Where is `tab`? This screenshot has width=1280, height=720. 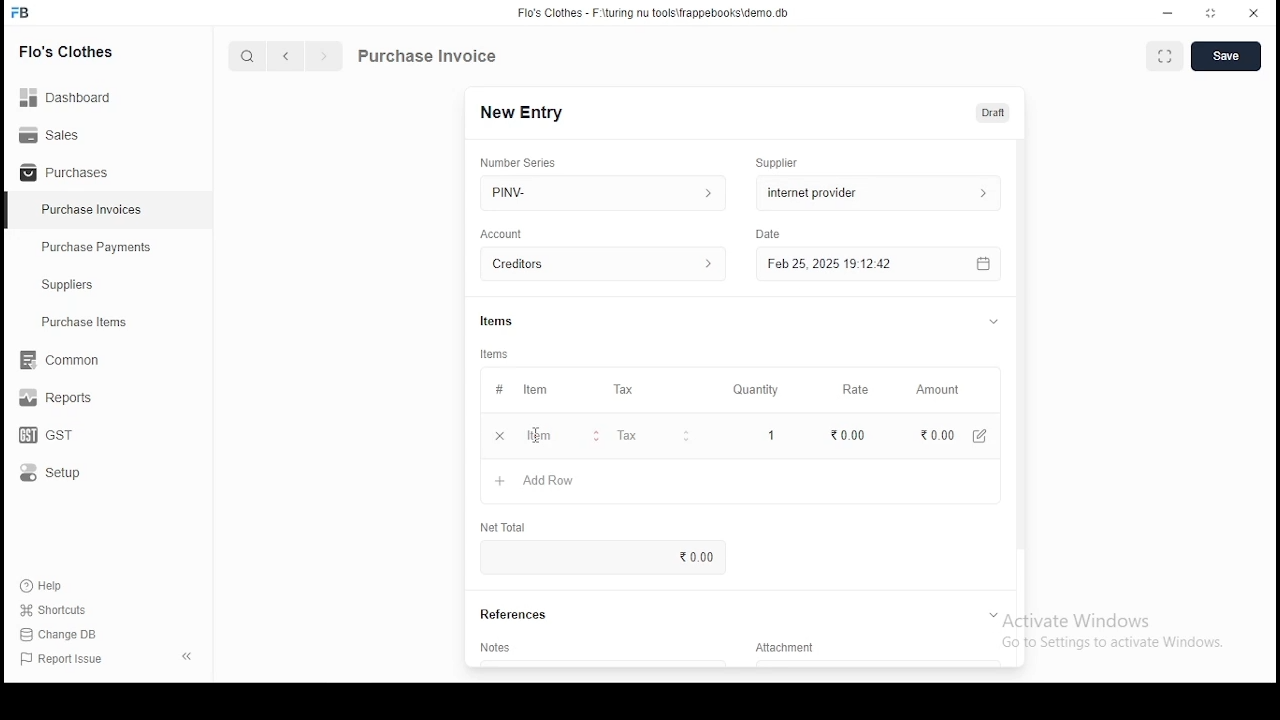
tab is located at coordinates (997, 616).